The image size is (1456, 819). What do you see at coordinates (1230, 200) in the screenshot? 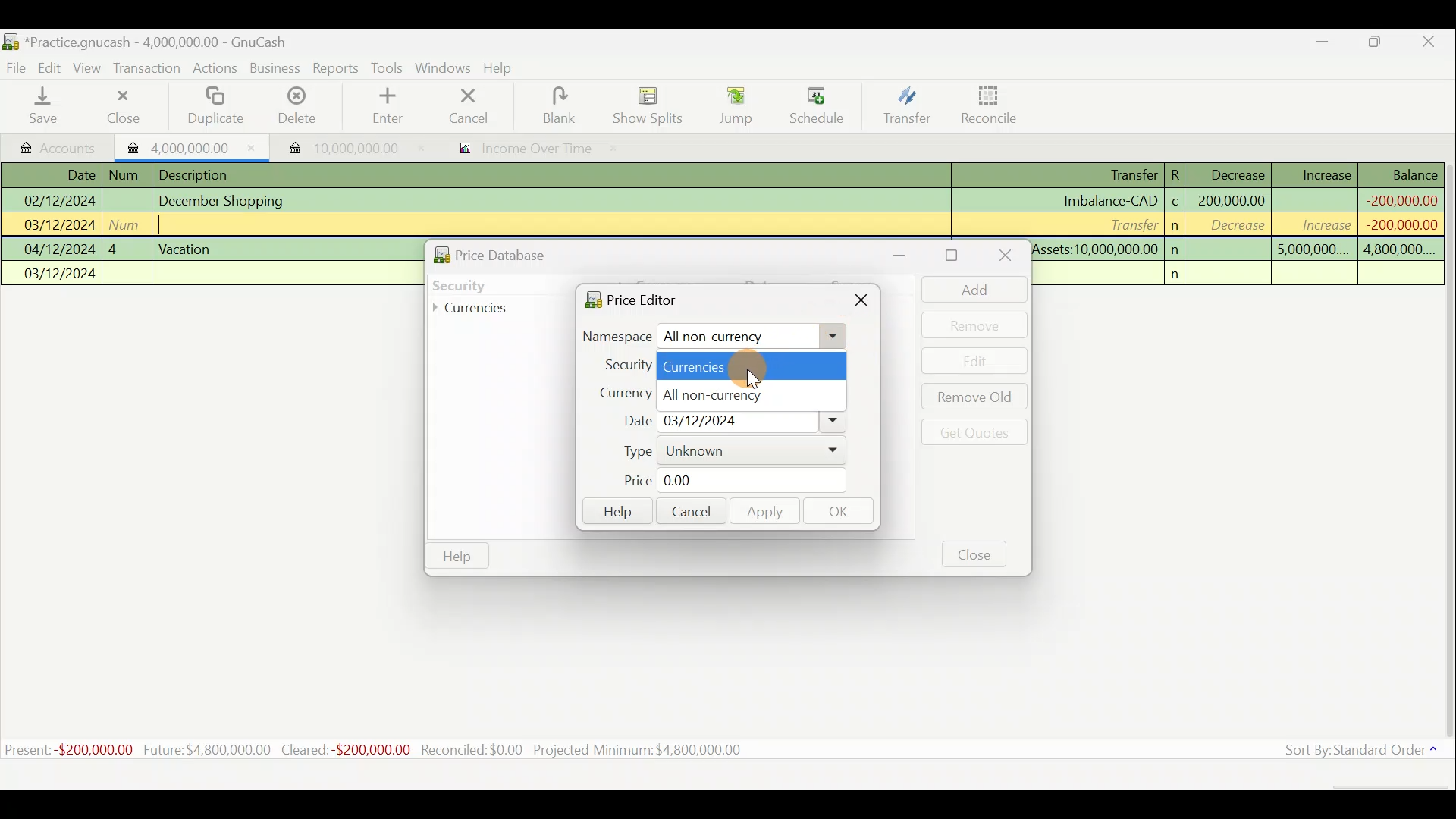
I see `200,000,000` at bounding box center [1230, 200].